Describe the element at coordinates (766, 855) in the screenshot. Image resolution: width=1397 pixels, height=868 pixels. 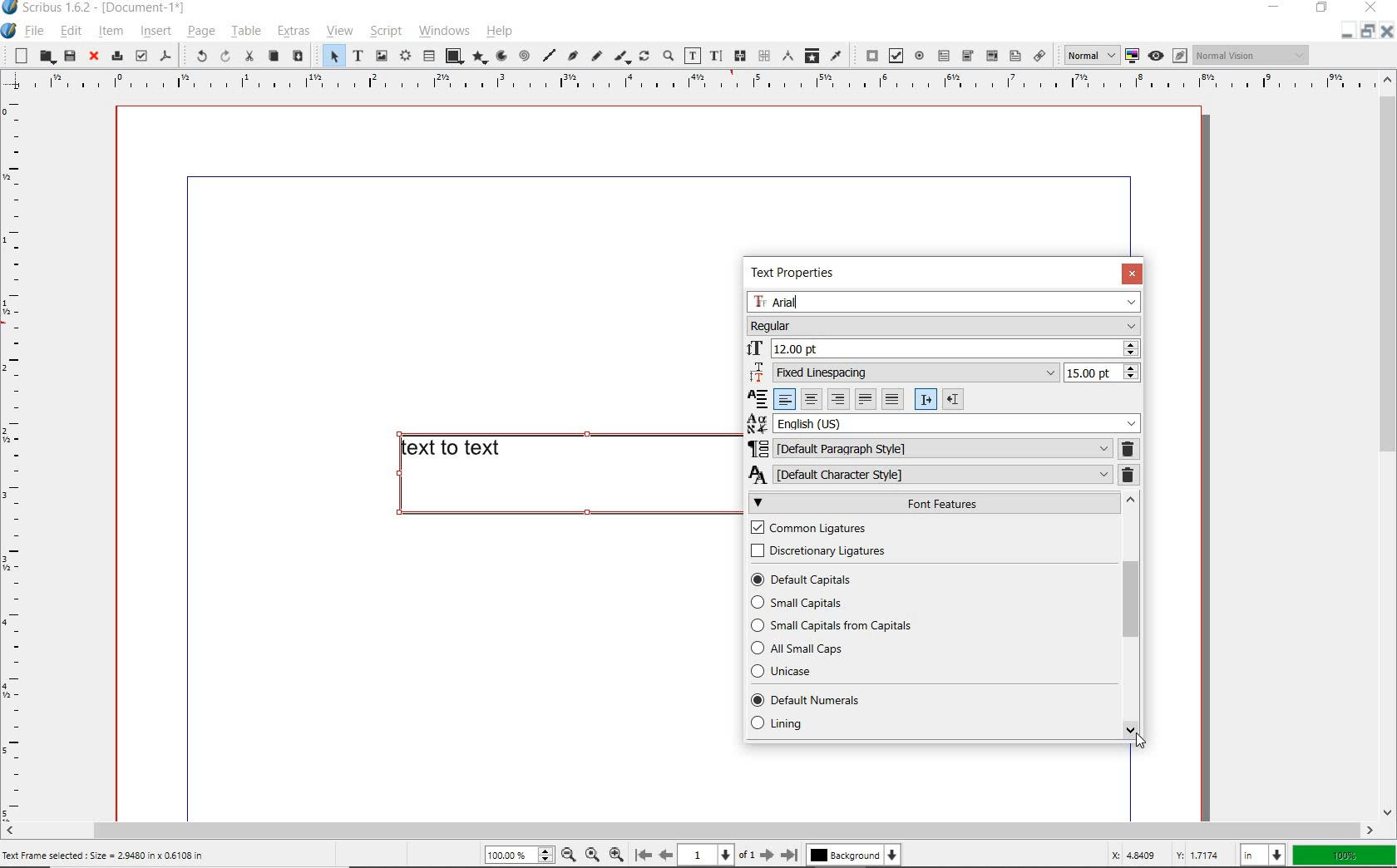
I see `Next page` at that location.